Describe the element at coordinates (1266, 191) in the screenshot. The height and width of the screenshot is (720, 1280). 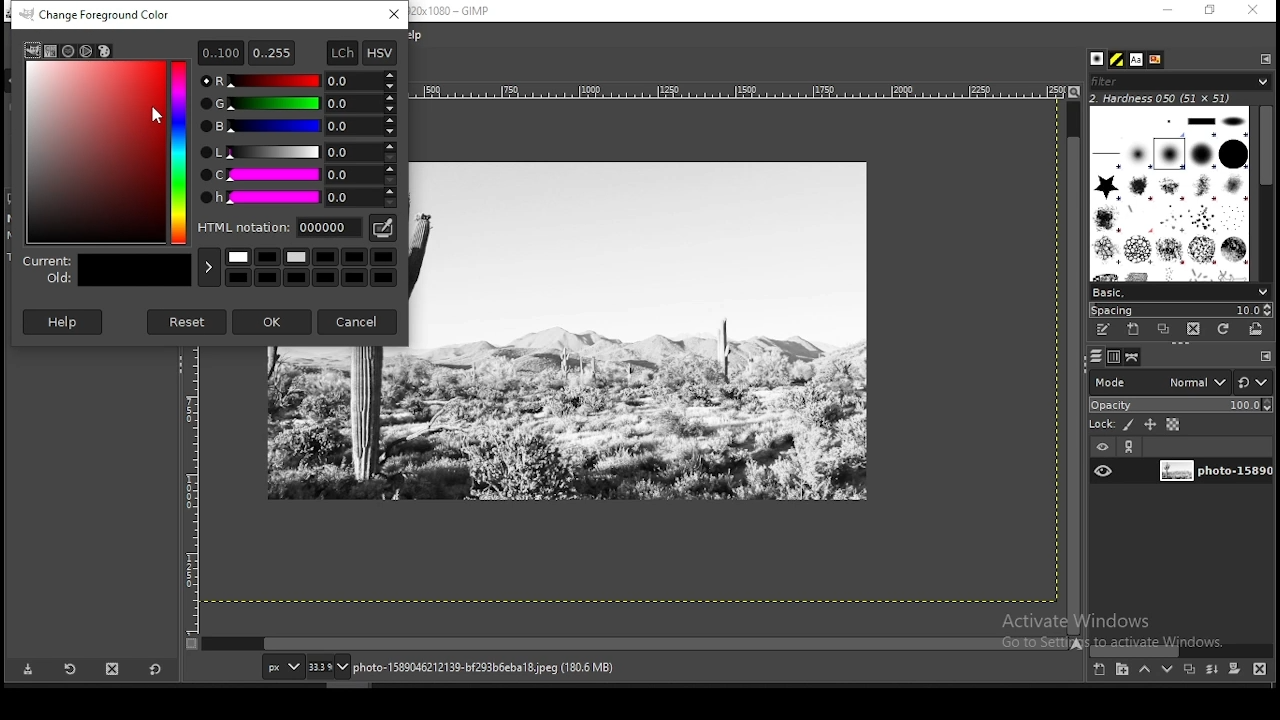
I see `scroll bar` at that location.